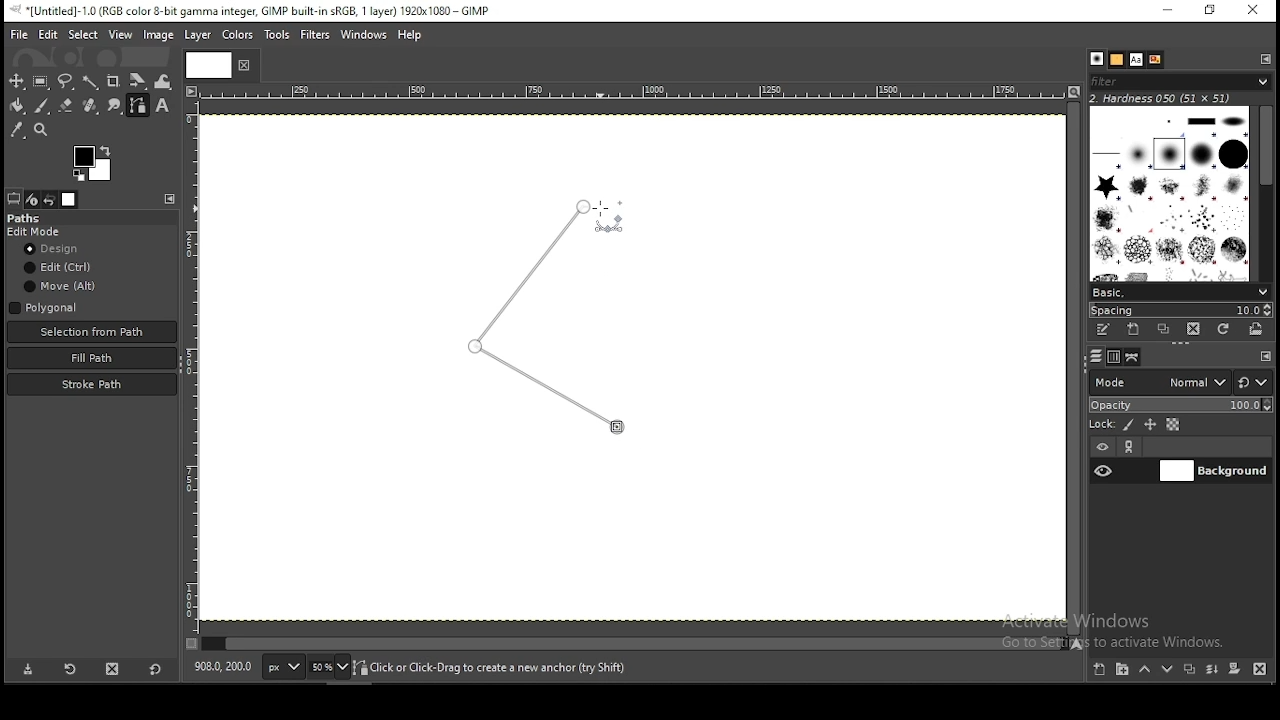  I want to click on link, so click(1131, 447).